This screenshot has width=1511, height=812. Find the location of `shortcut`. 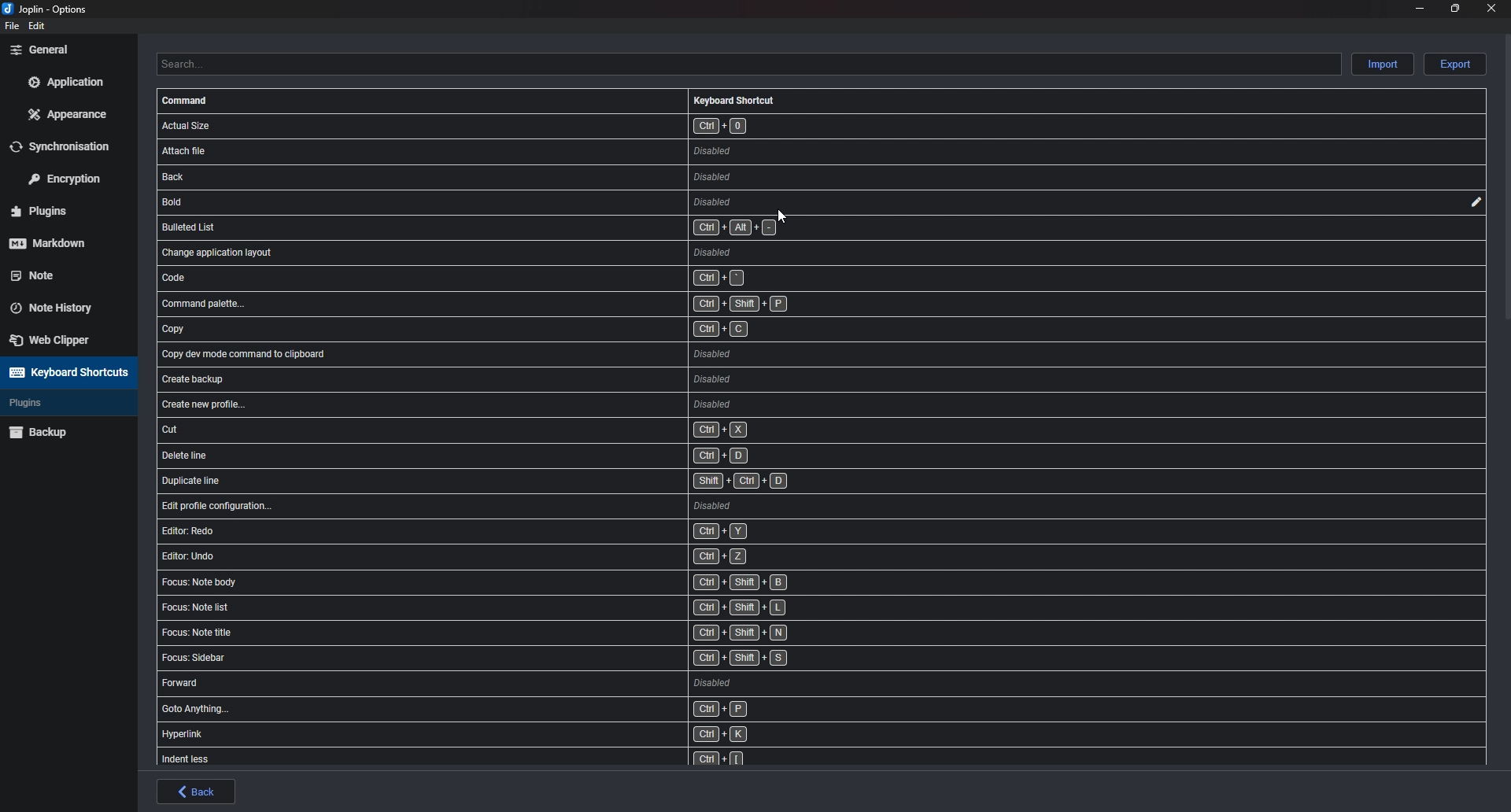

shortcut is located at coordinates (530, 278).